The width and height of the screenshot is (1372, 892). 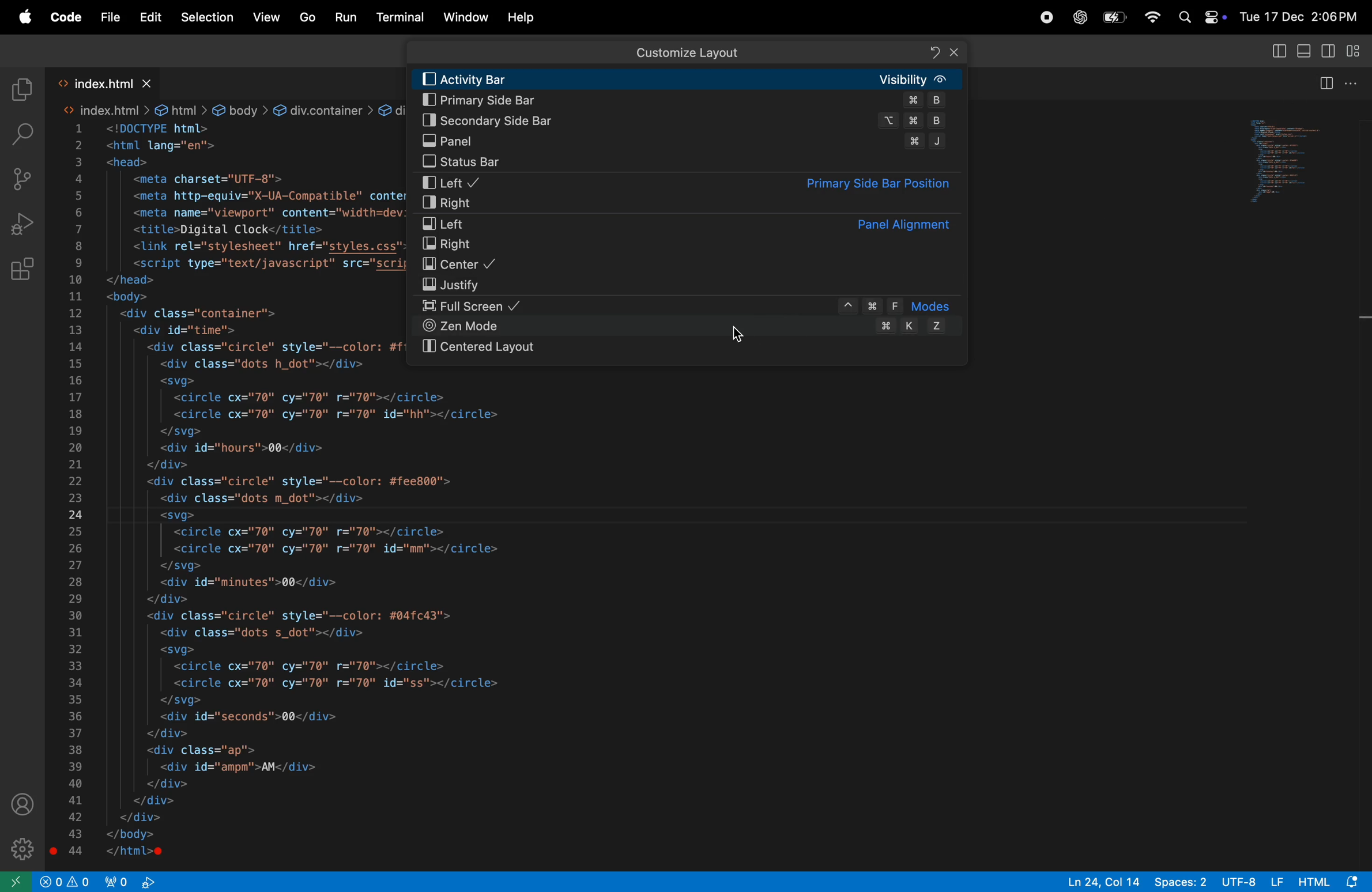 I want to click on Options, so click(x=1354, y=81).